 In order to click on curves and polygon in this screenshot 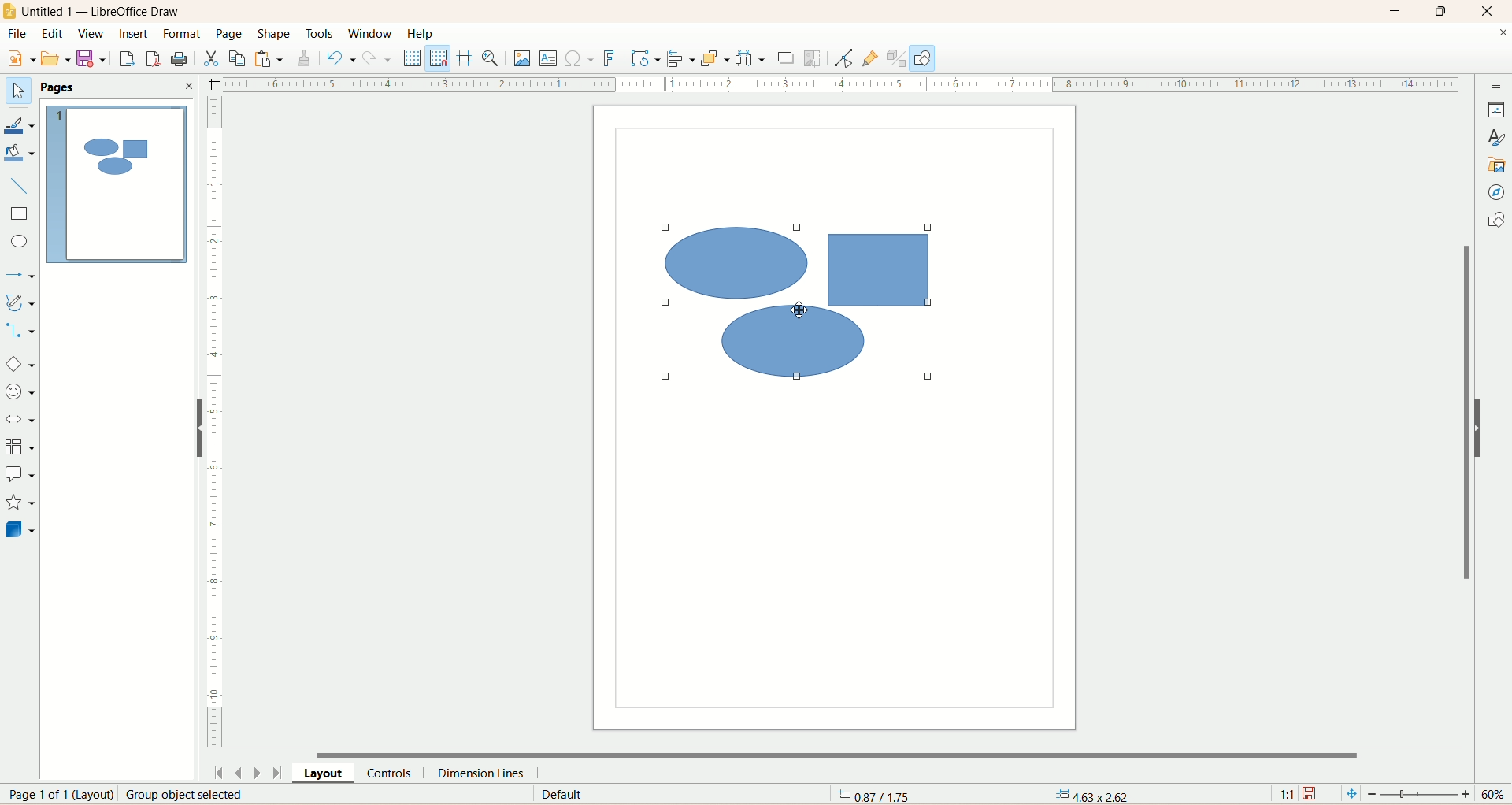, I will do `click(20, 302)`.